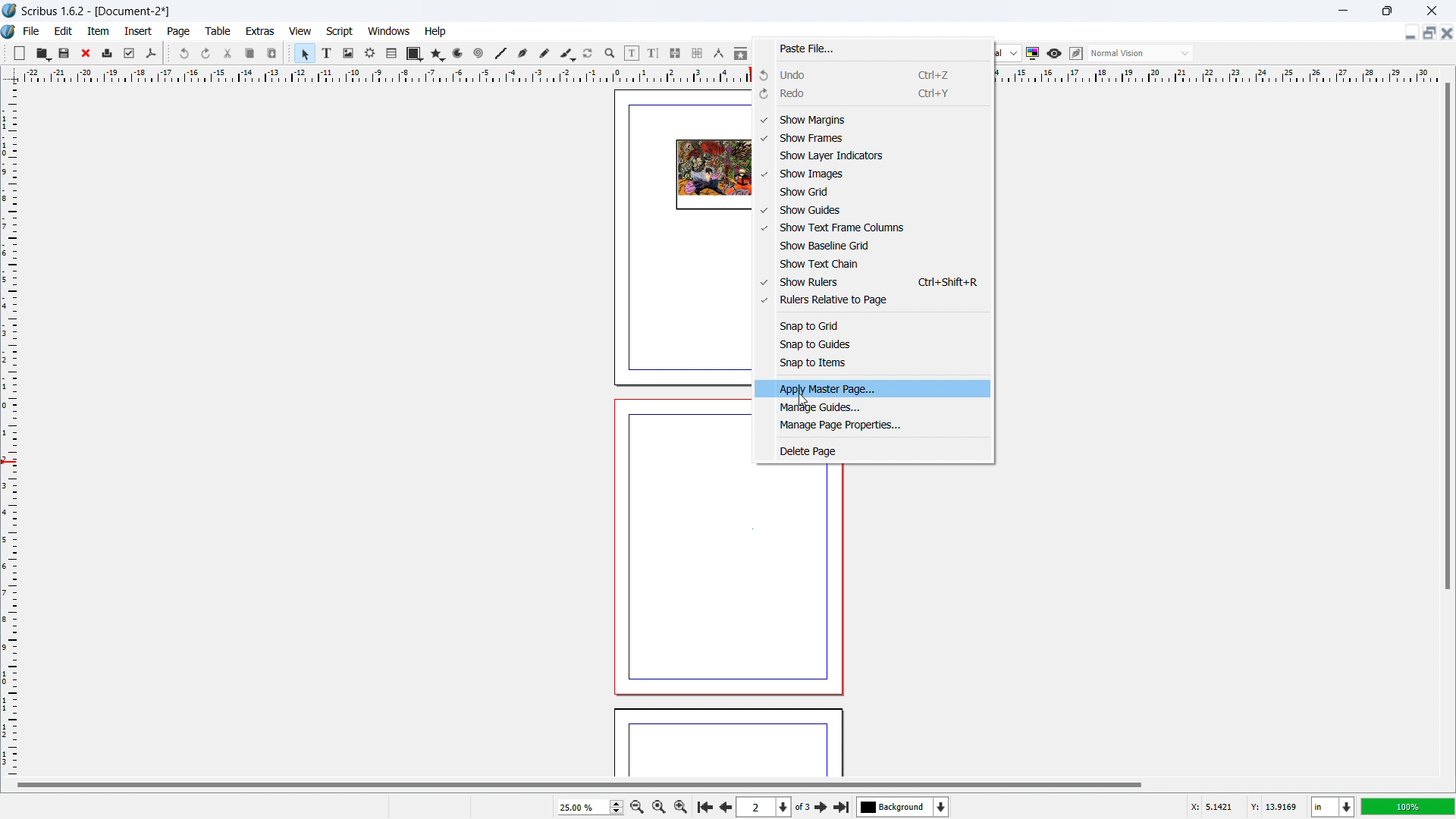 This screenshot has height=819, width=1456. What do you see at coordinates (588, 54) in the screenshot?
I see `rotate item` at bounding box center [588, 54].